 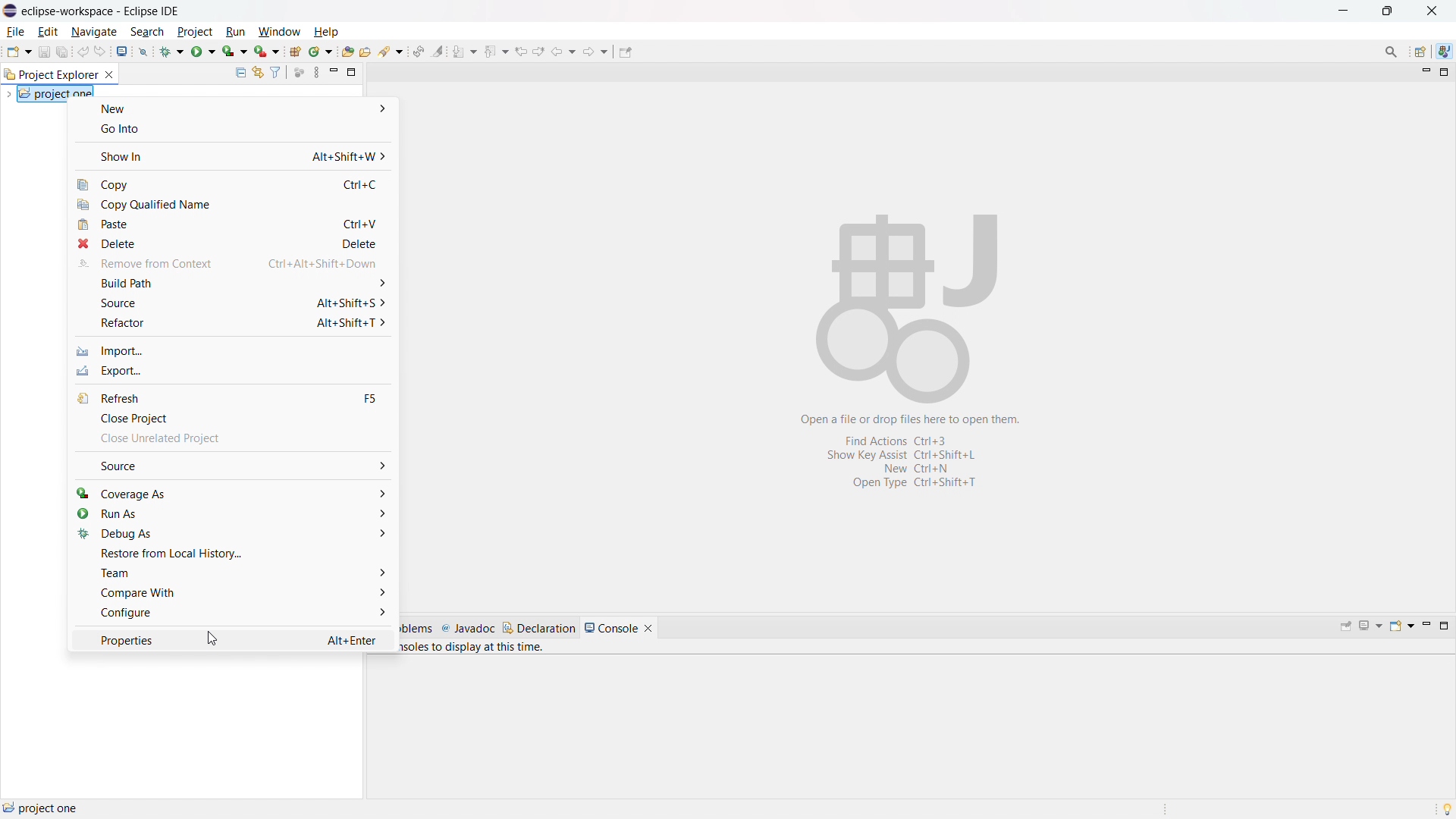 What do you see at coordinates (911, 484) in the screenshot?
I see `open type ctrl+shift+t` at bounding box center [911, 484].